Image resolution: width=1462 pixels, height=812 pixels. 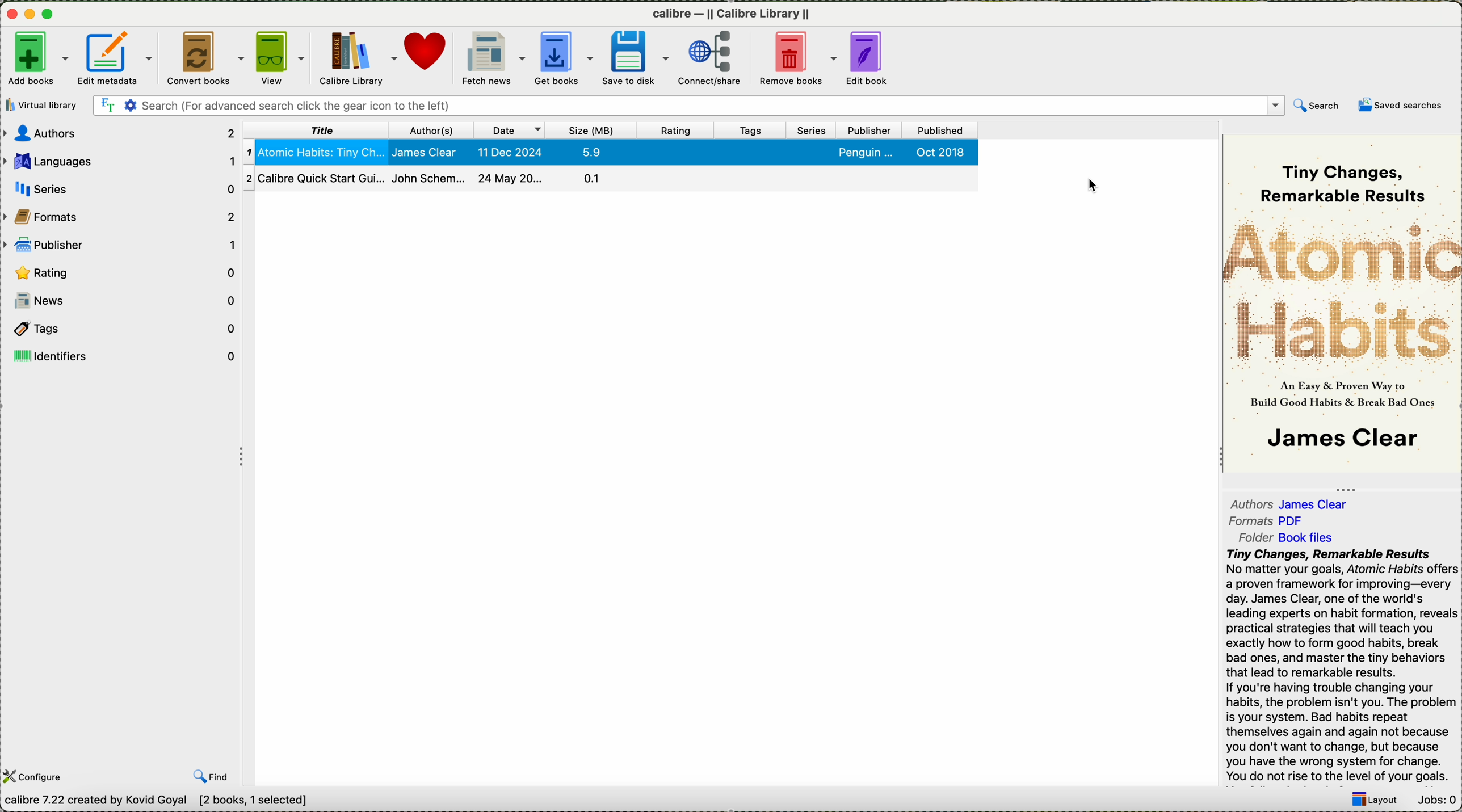 I want to click on search bar, so click(x=688, y=104).